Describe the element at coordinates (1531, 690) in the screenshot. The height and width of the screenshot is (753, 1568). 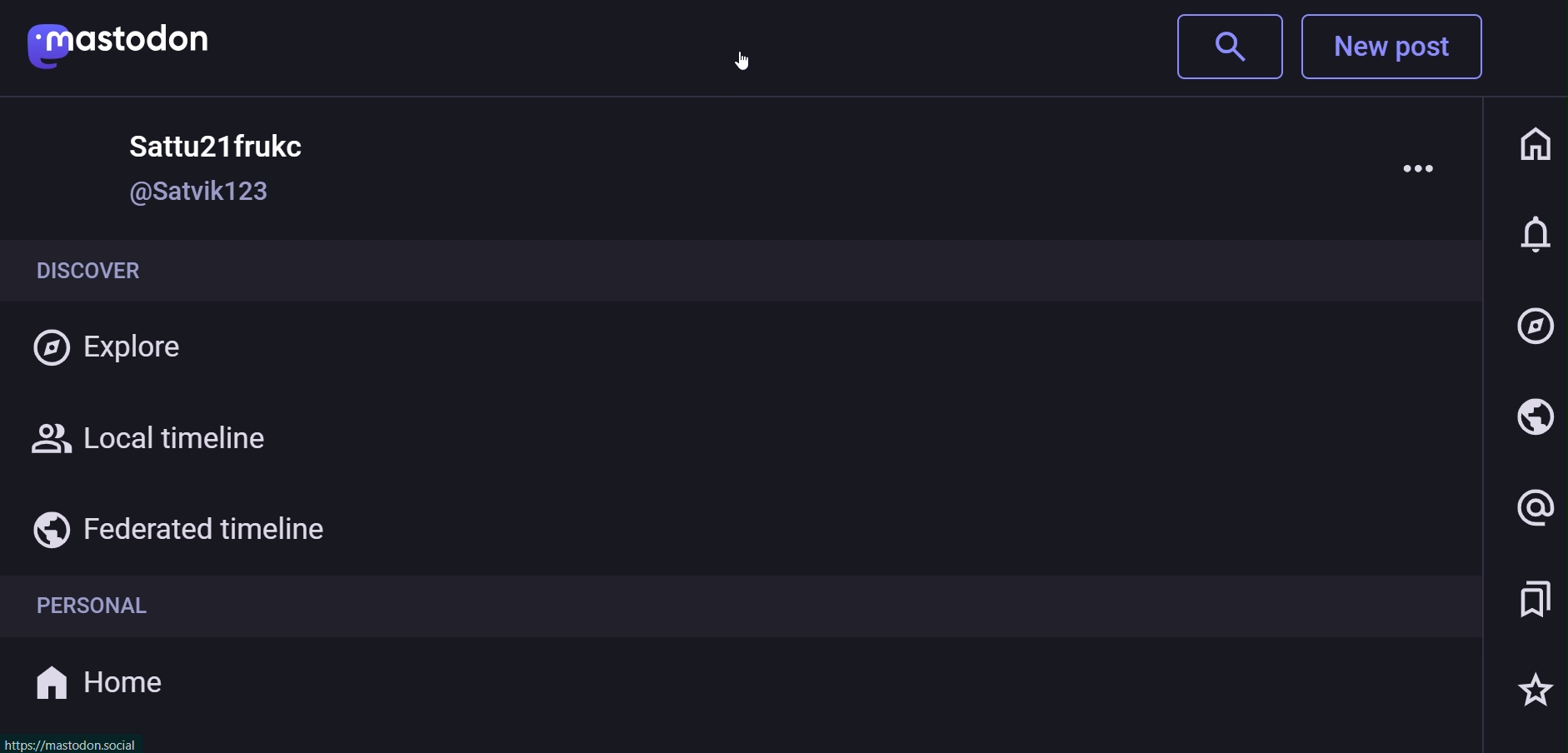
I see `favorite` at that location.